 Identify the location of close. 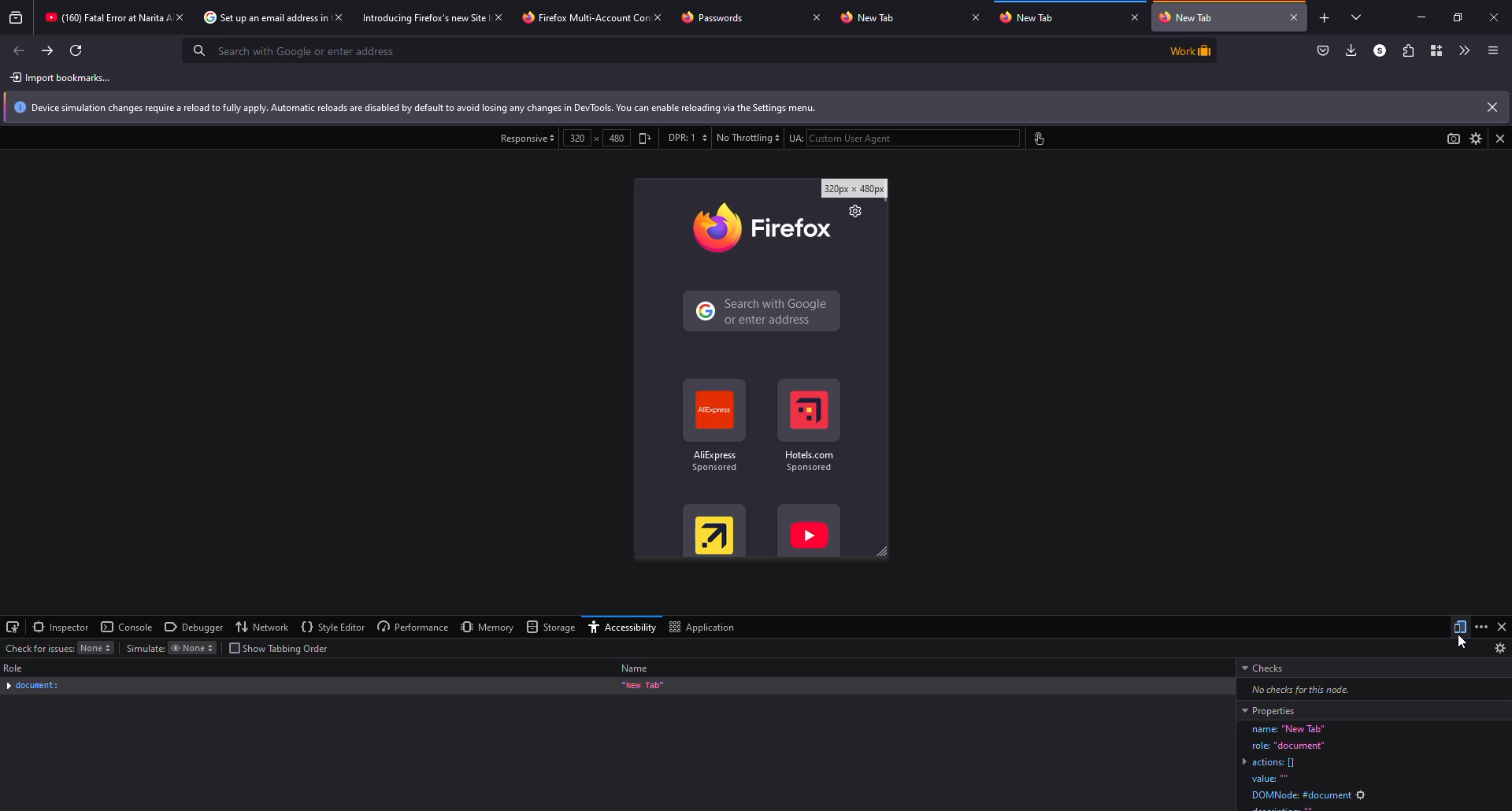
(1501, 626).